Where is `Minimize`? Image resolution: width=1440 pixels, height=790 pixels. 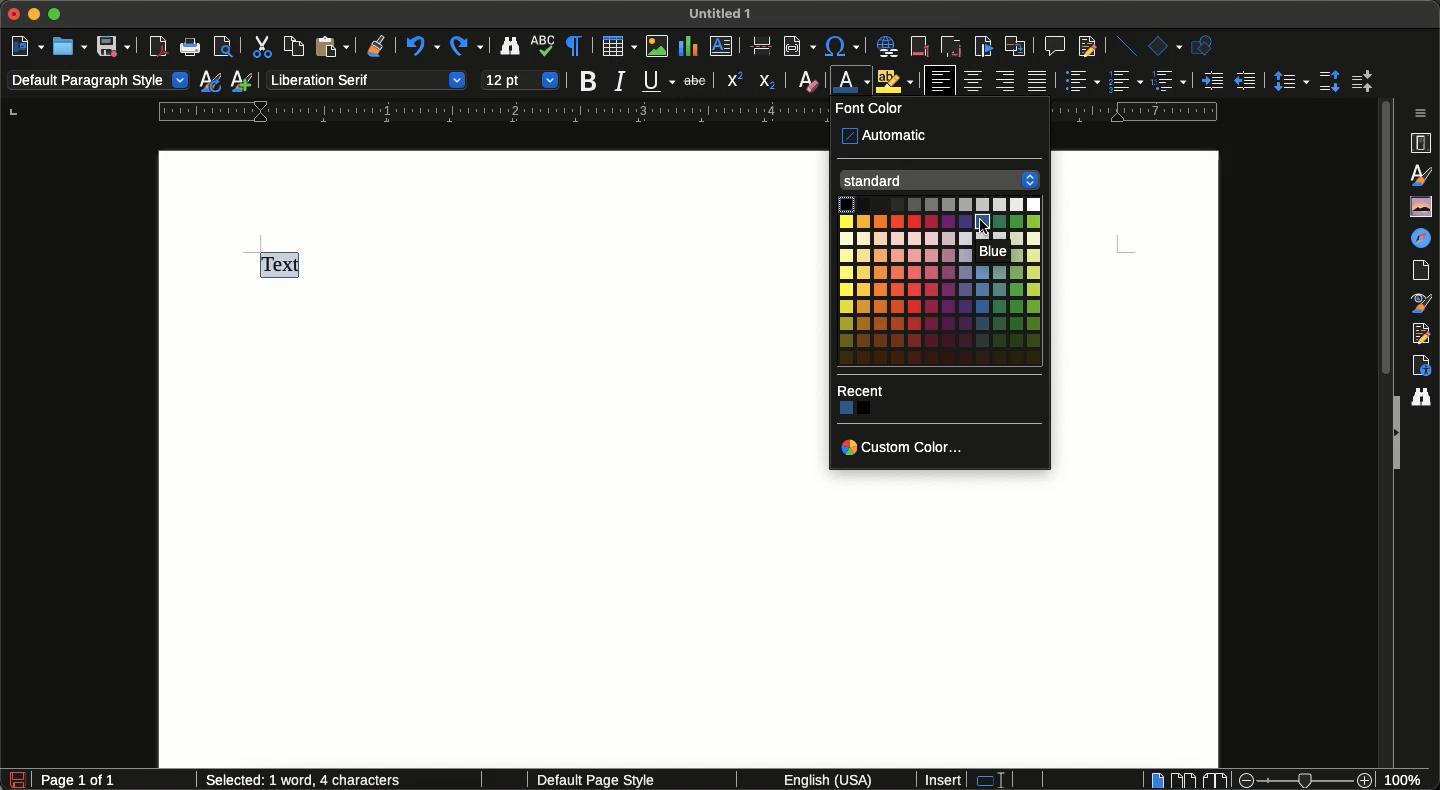
Minimize is located at coordinates (37, 16).